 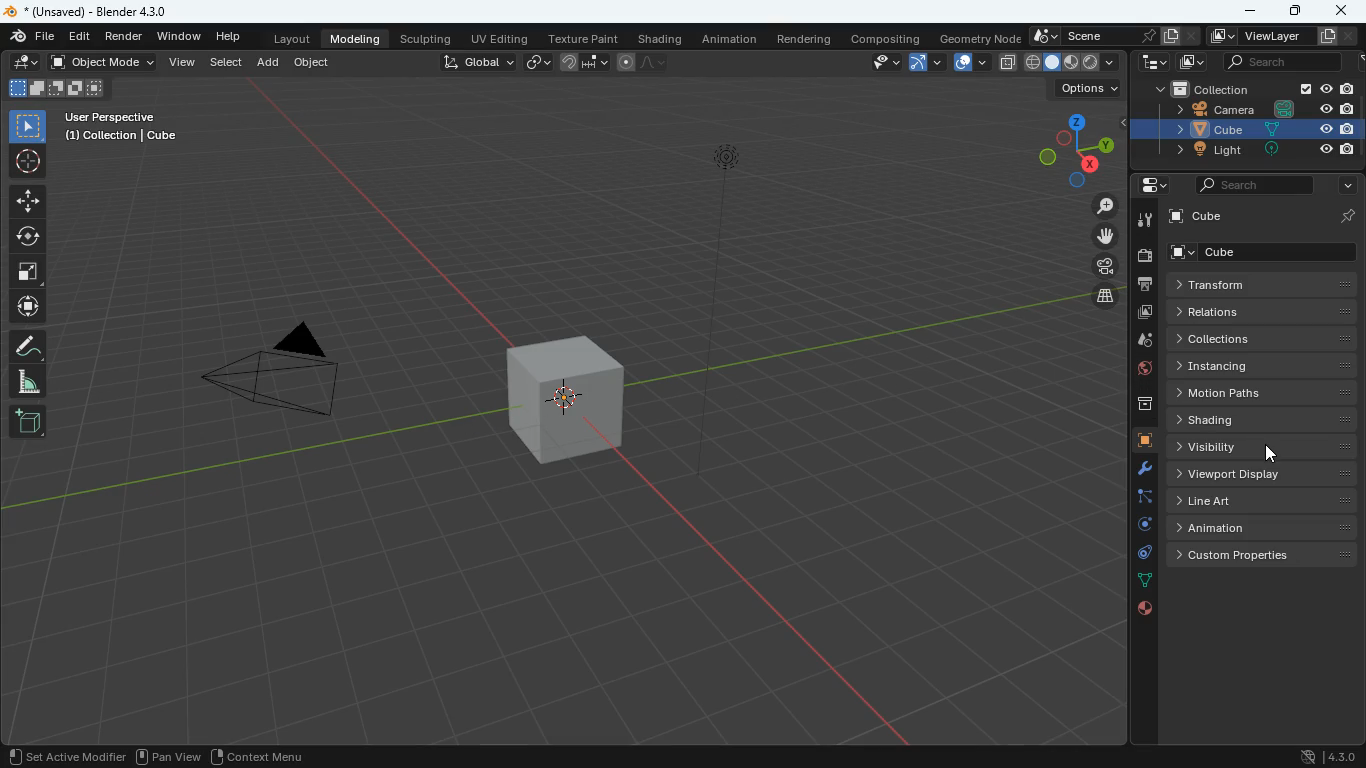 I want to click on maximize, so click(x=1293, y=11).